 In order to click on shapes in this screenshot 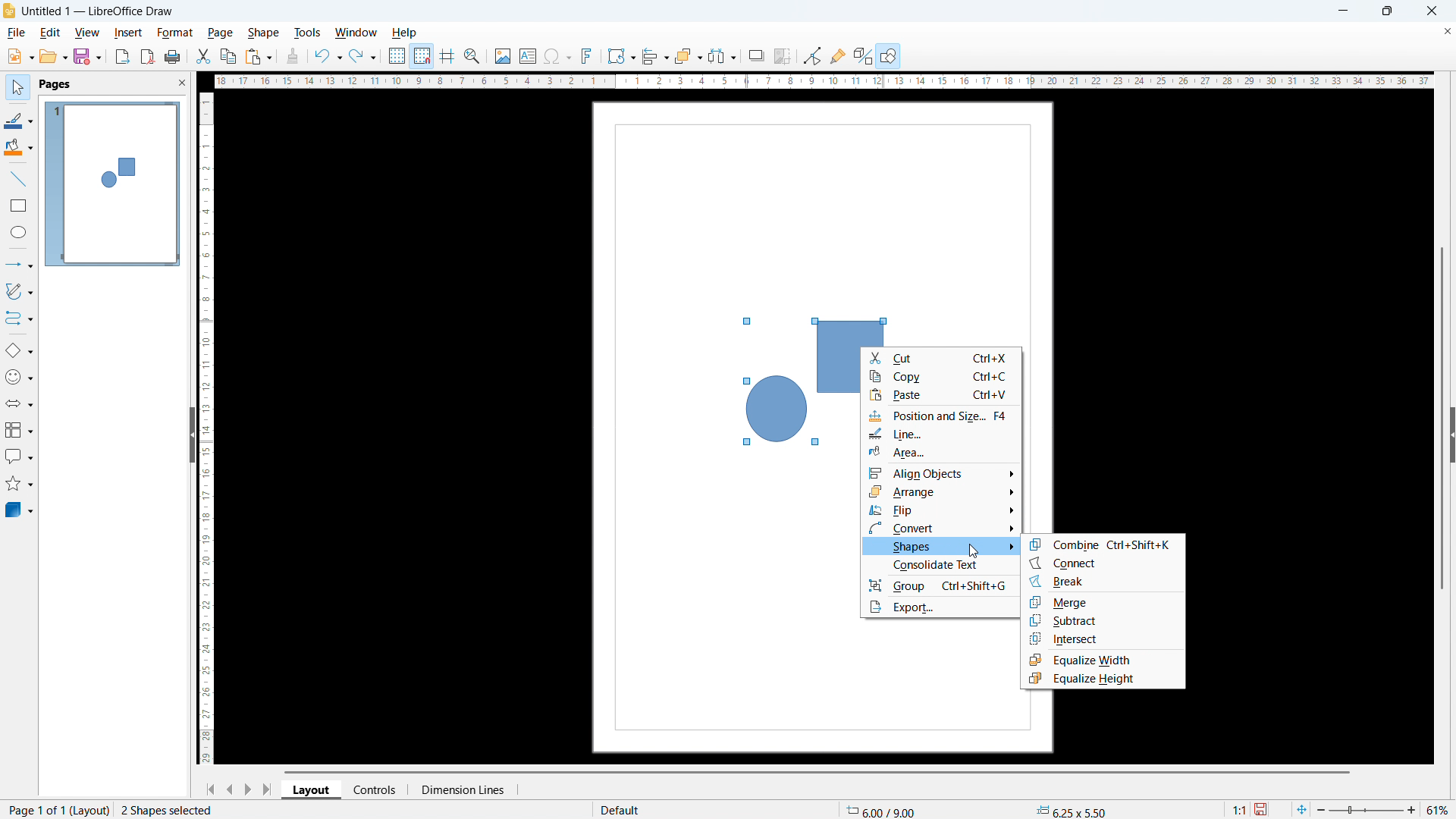, I will do `click(940, 546)`.